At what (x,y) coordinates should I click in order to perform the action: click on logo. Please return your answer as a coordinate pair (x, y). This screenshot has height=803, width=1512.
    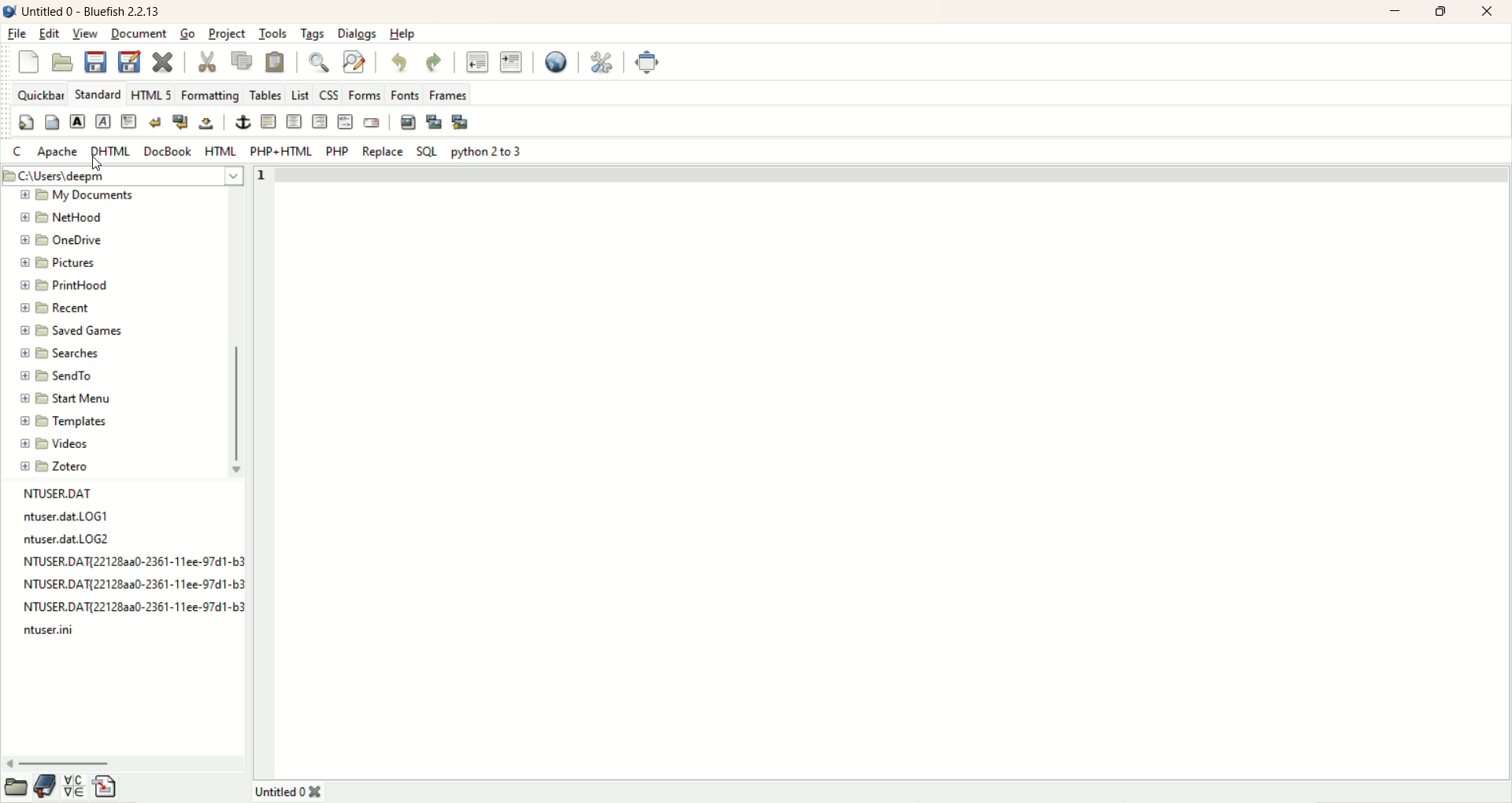
    Looking at the image, I should click on (9, 11).